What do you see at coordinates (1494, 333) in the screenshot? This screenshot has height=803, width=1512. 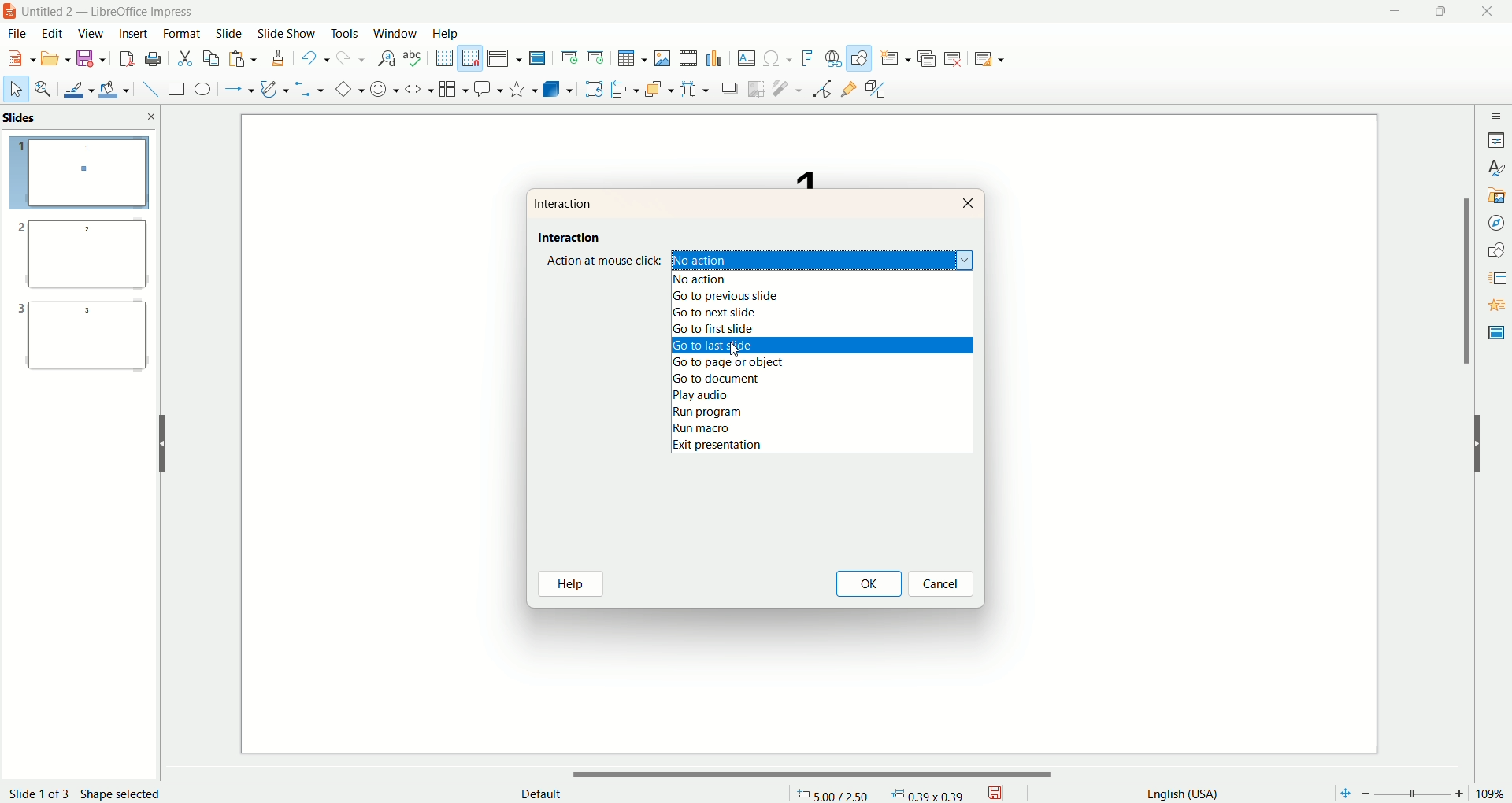 I see `master slide` at bounding box center [1494, 333].